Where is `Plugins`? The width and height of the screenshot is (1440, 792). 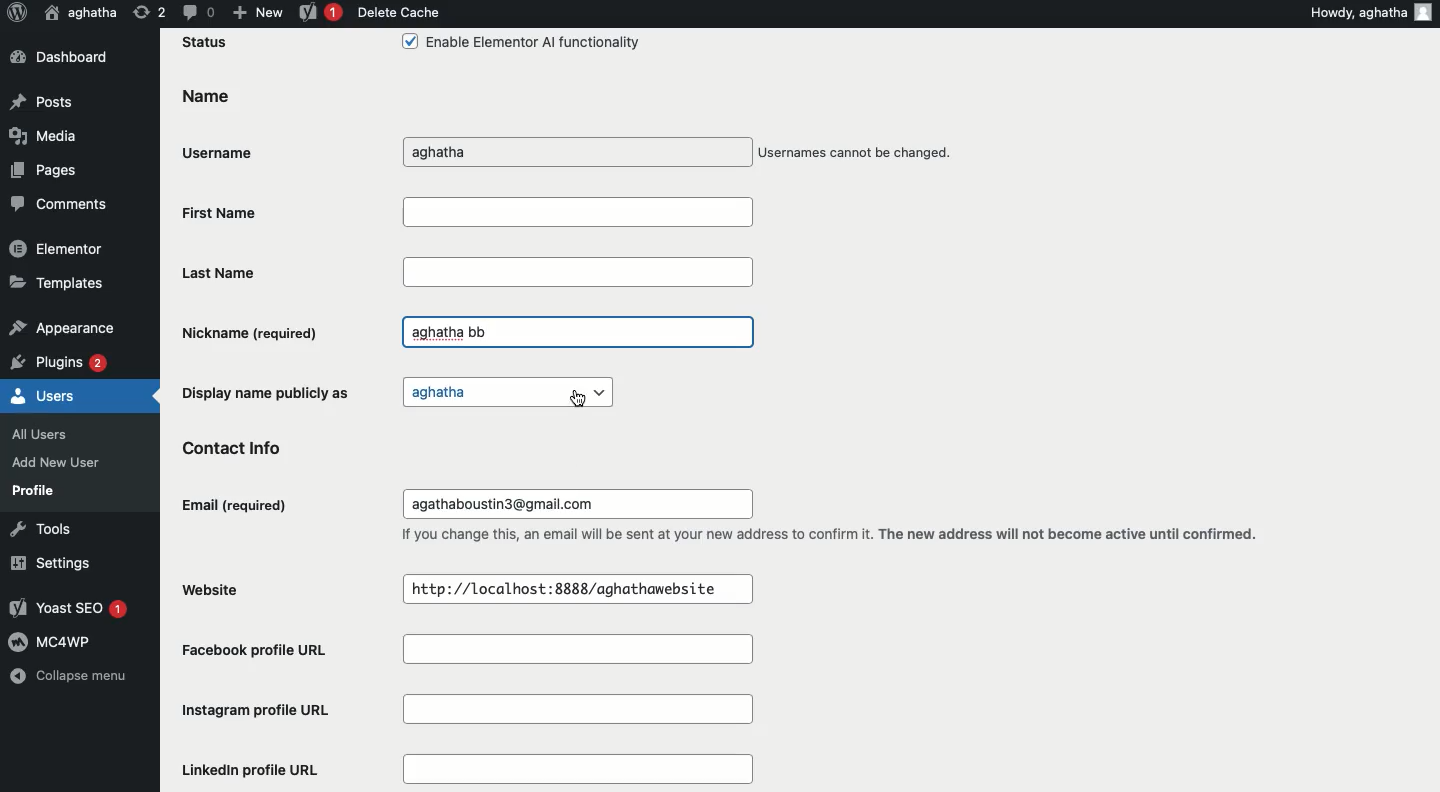 Plugins is located at coordinates (61, 360).